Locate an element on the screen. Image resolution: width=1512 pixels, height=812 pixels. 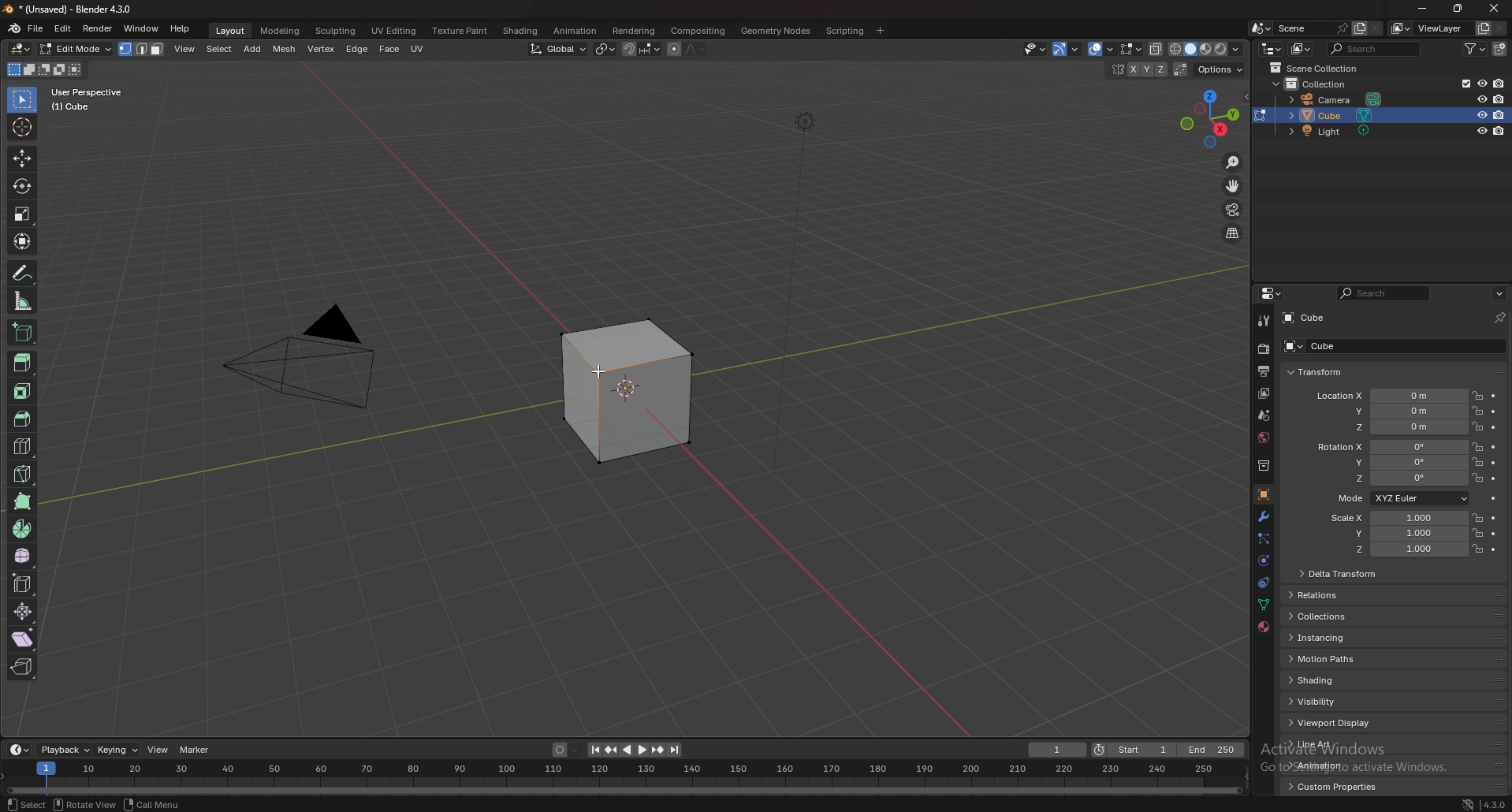
scale z is located at coordinates (1400, 549).